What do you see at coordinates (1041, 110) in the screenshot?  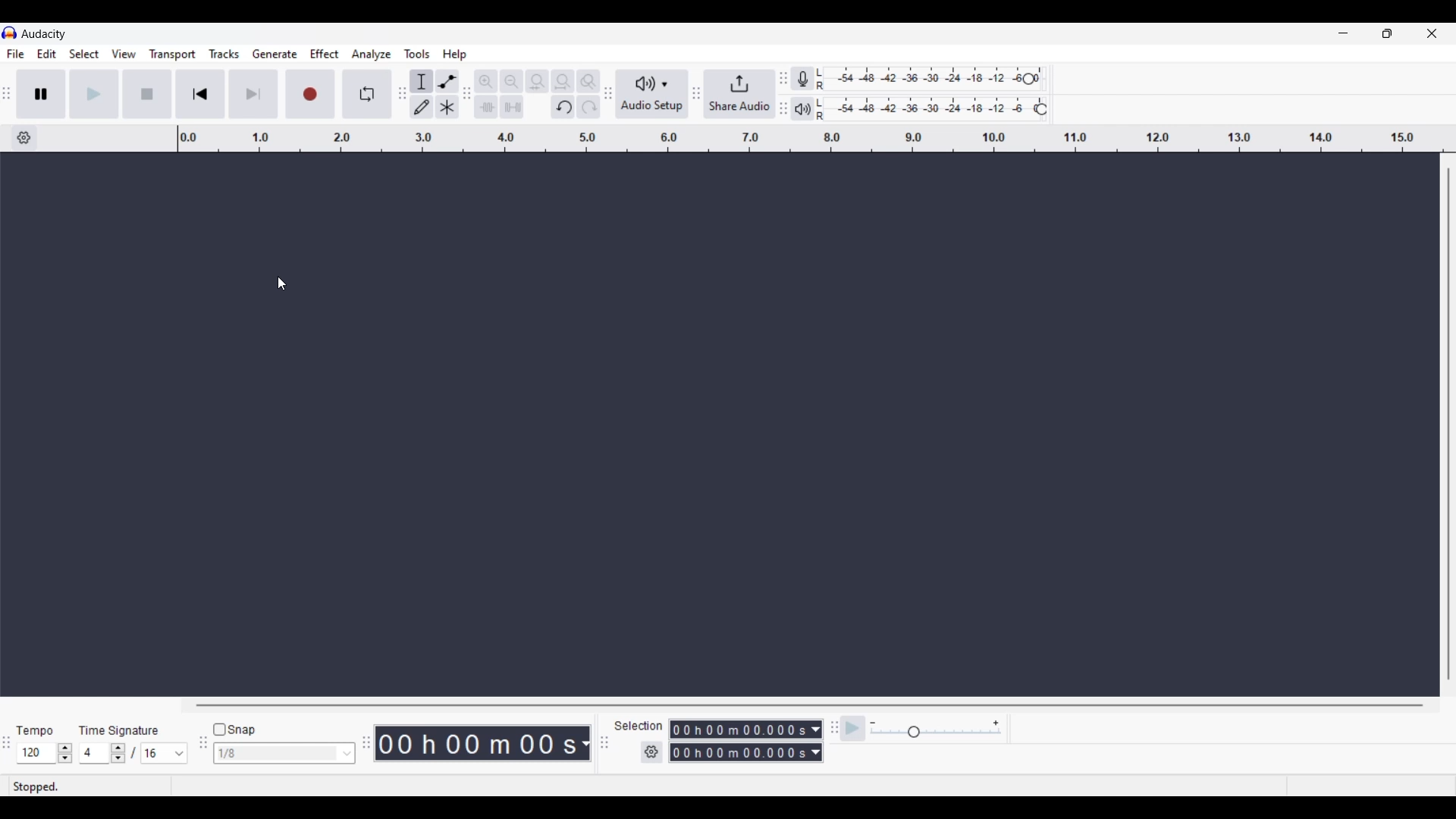 I see `Change playback level` at bounding box center [1041, 110].